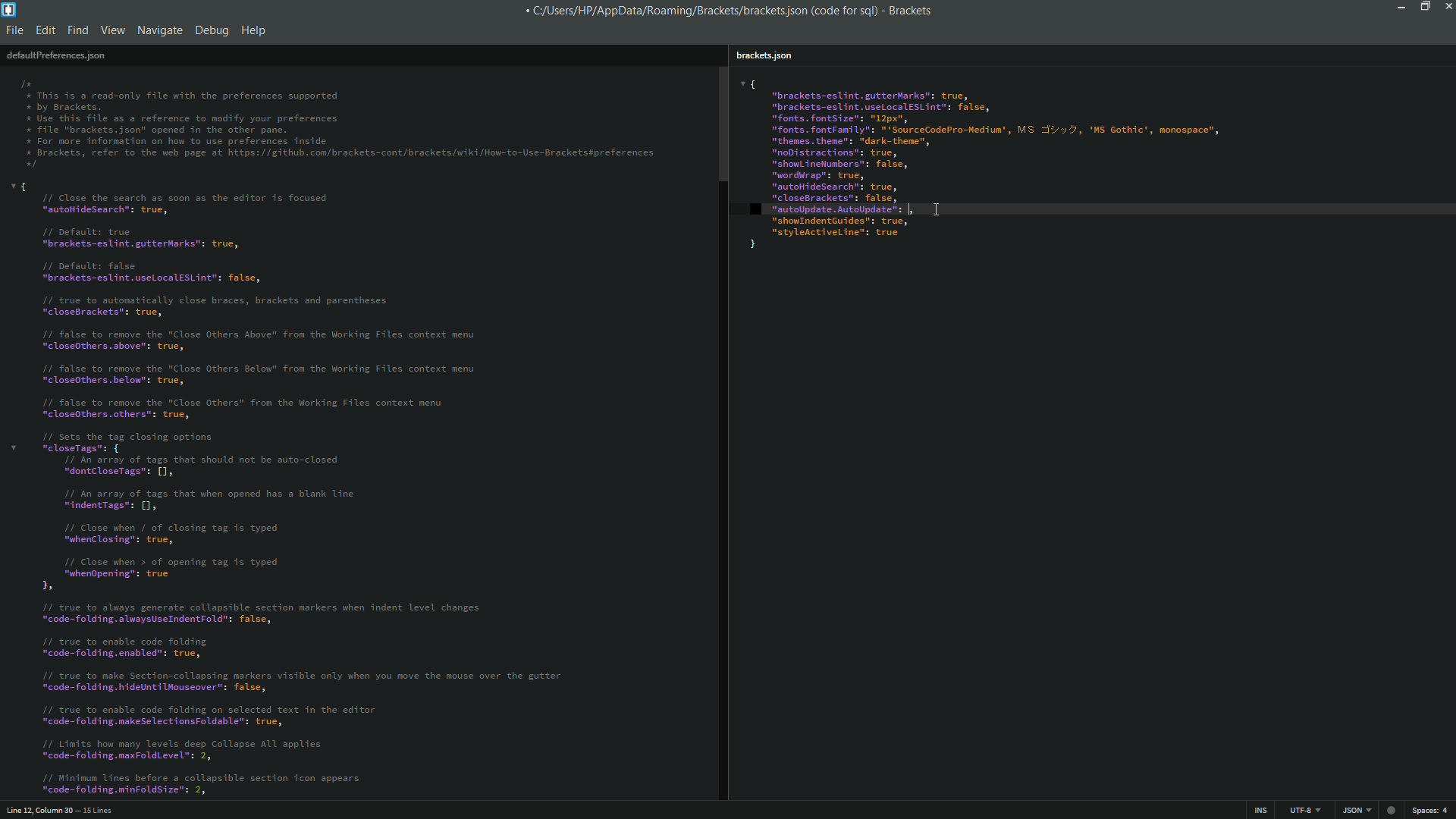  What do you see at coordinates (55, 55) in the screenshot?
I see `defaultpreferences.json` at bounding box center [55, 55].